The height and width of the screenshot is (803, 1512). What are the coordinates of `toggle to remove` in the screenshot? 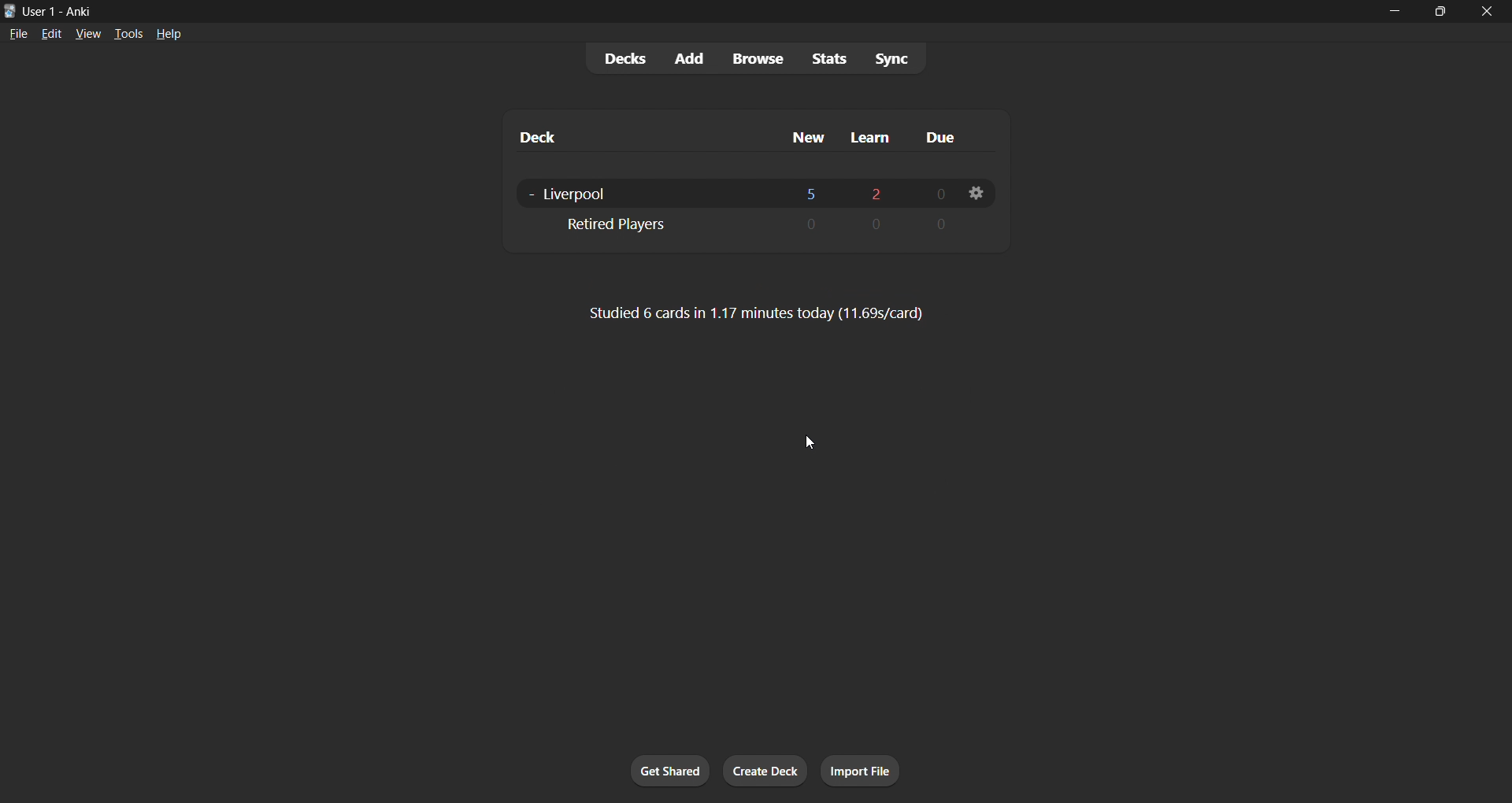 It's located at (521, 193).